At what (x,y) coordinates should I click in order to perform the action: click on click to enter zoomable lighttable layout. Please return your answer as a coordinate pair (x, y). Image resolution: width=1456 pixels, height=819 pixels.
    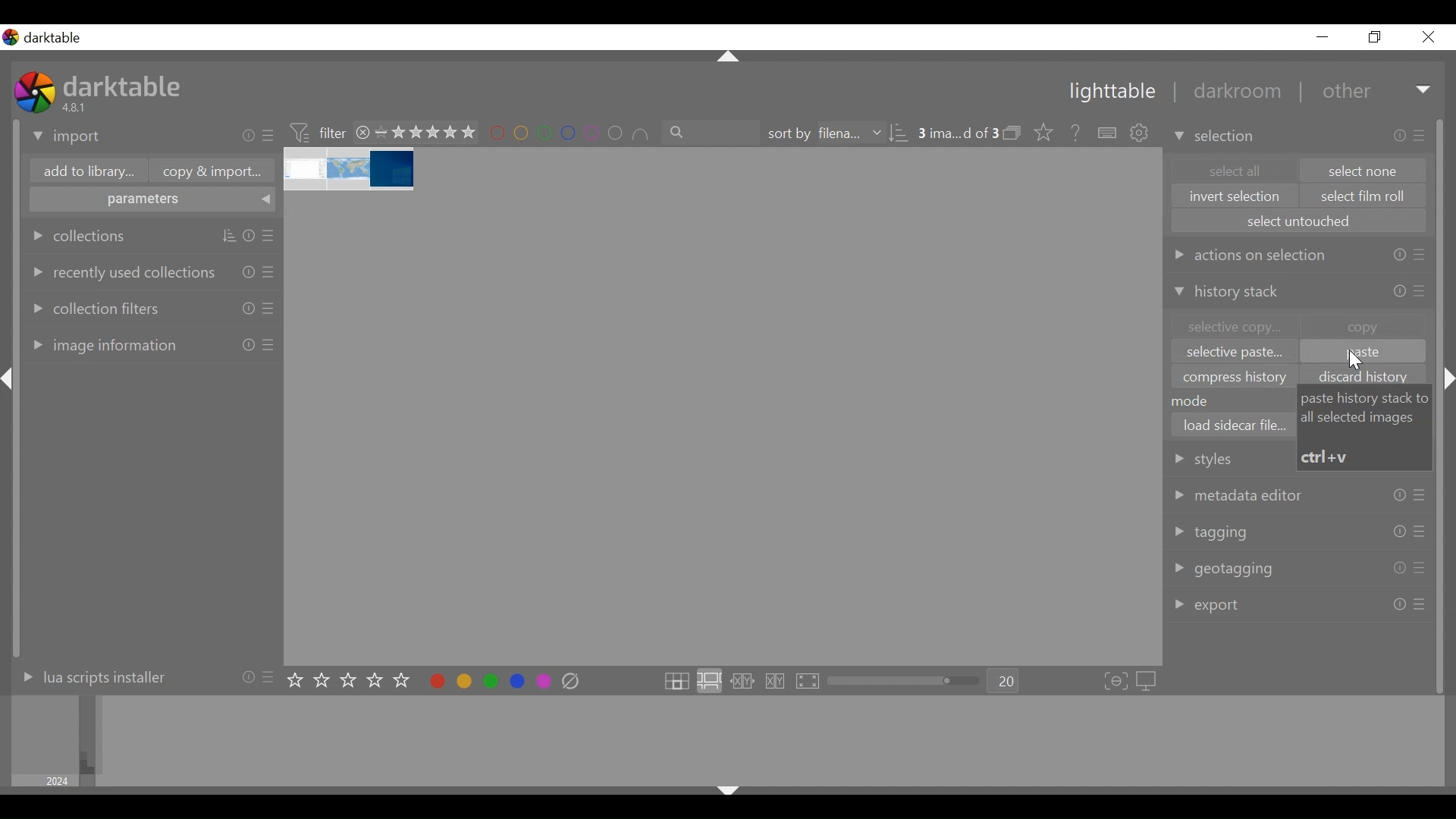
    Looking at the image, I should click on (708, 682).